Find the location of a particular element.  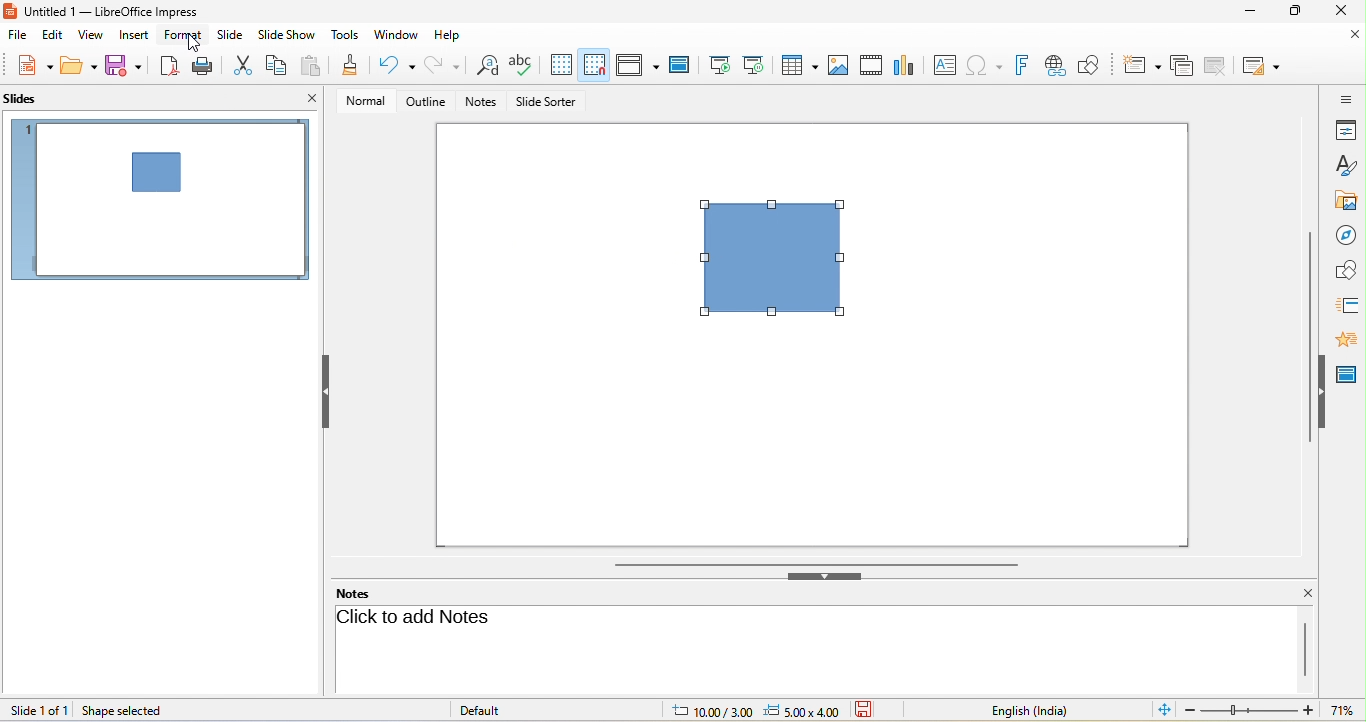

slide sorter is located at coordinates (549, 102).